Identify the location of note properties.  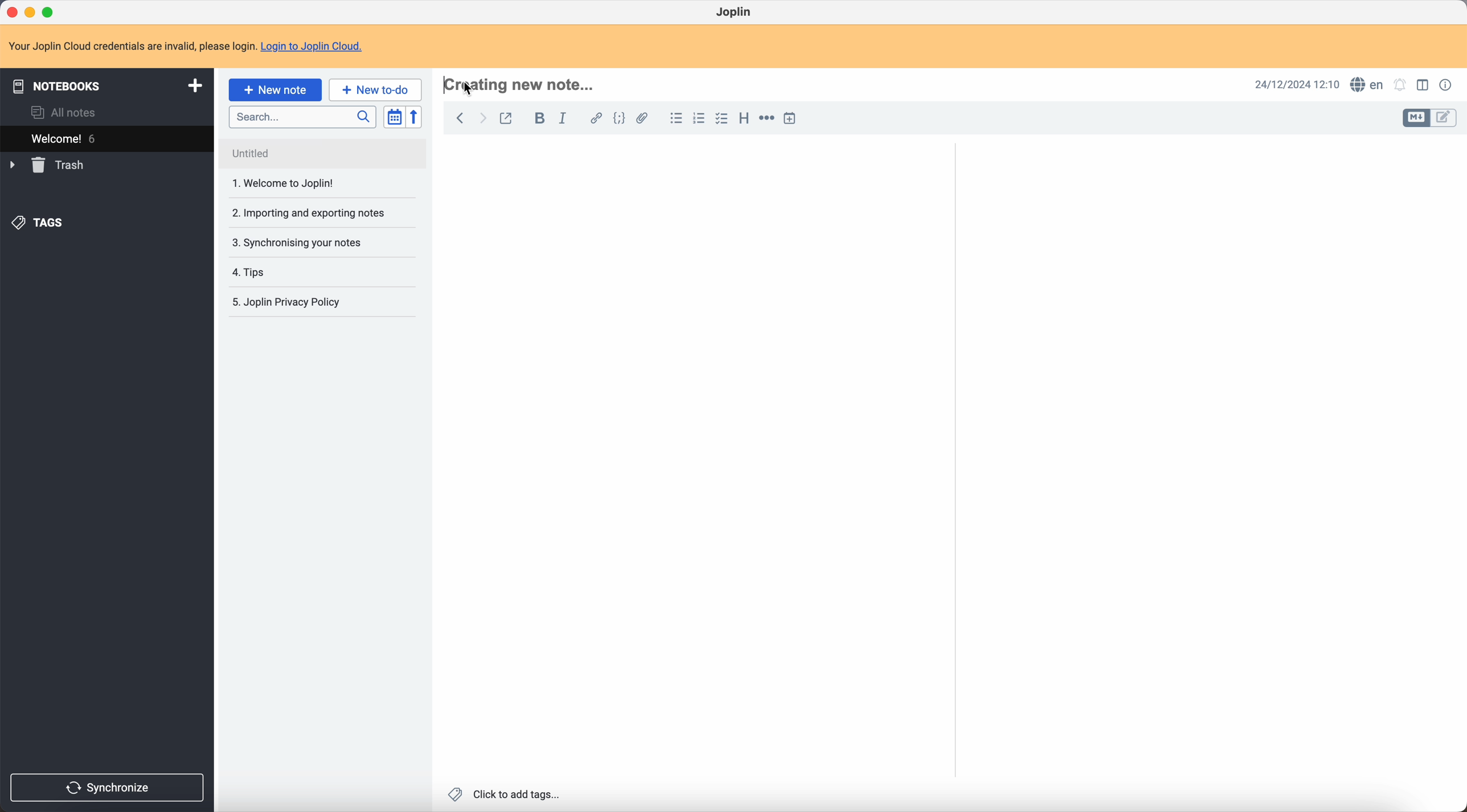
(1447, 85).